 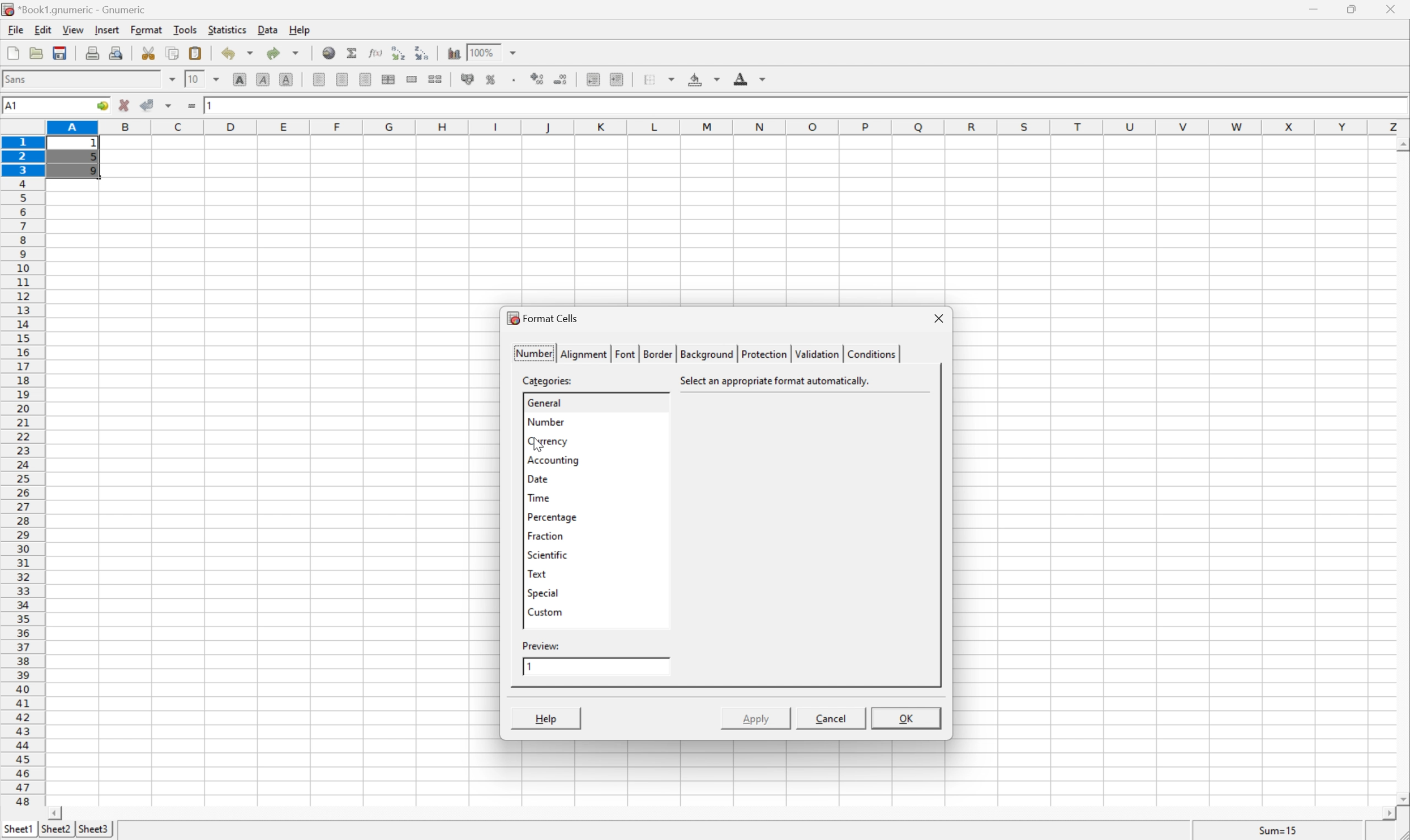 I want to click on tools, so click(x=186, y=29).